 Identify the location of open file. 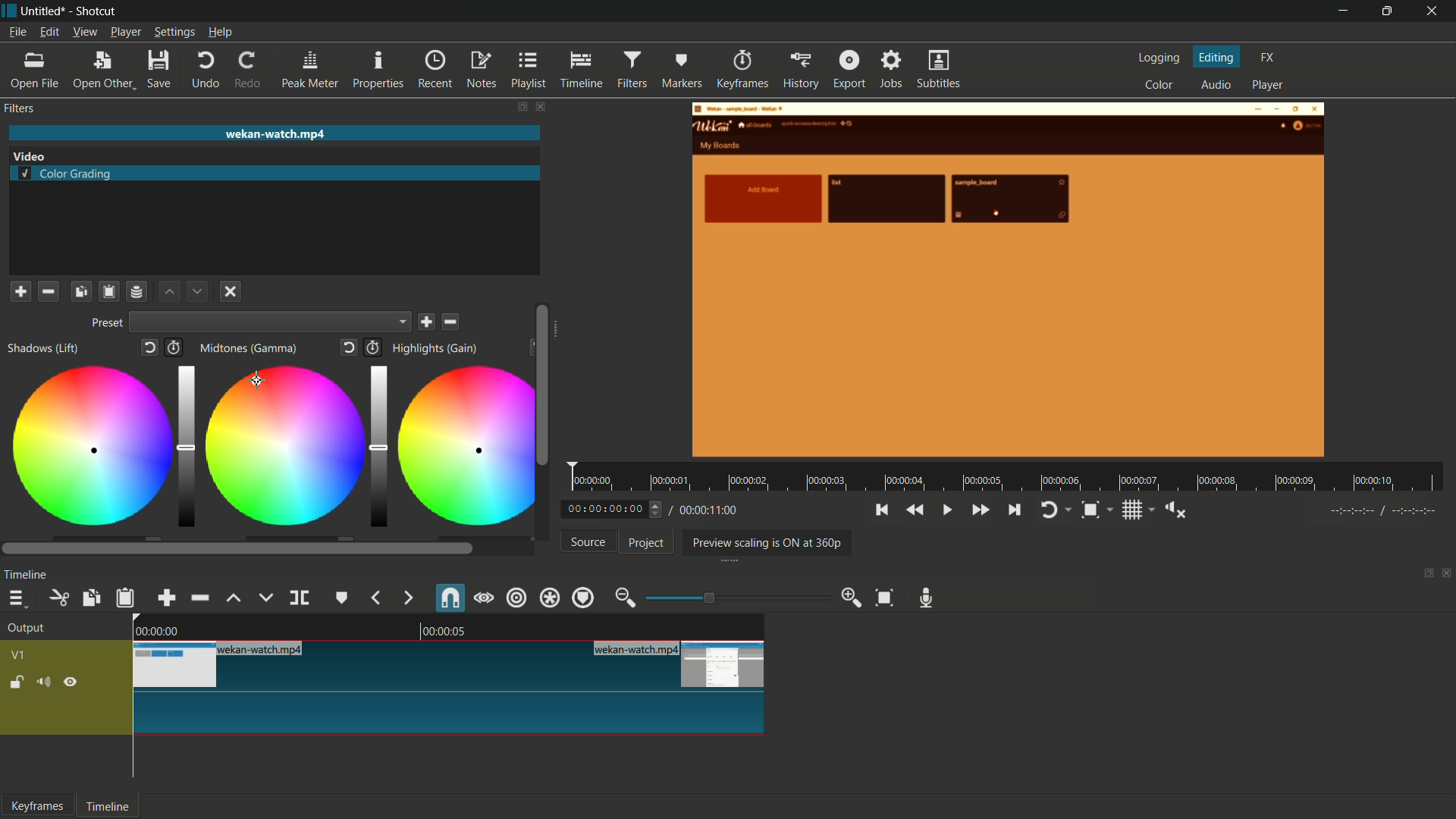
(30, 71).